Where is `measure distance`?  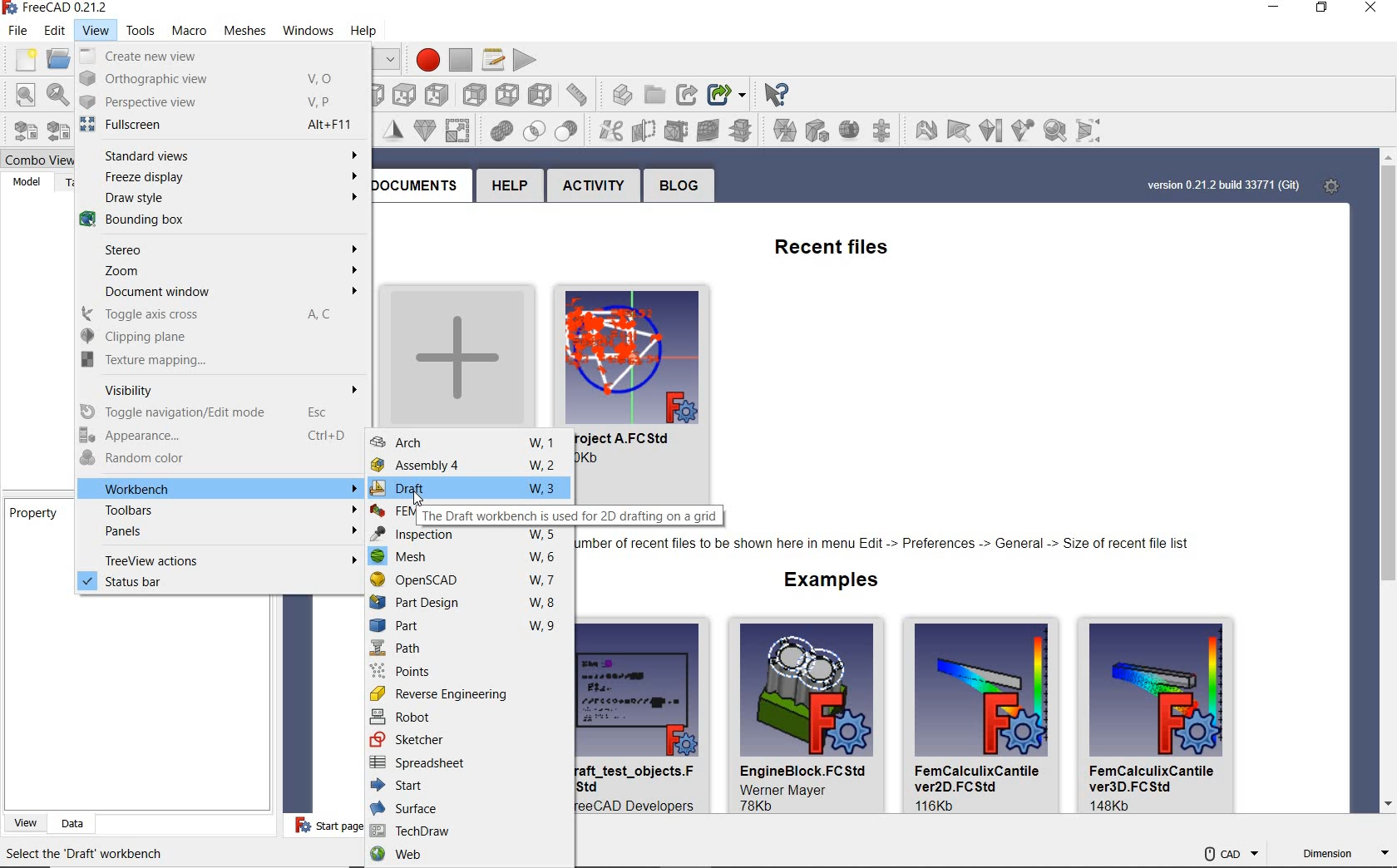
measure distance is located at coordinates (542, 94).